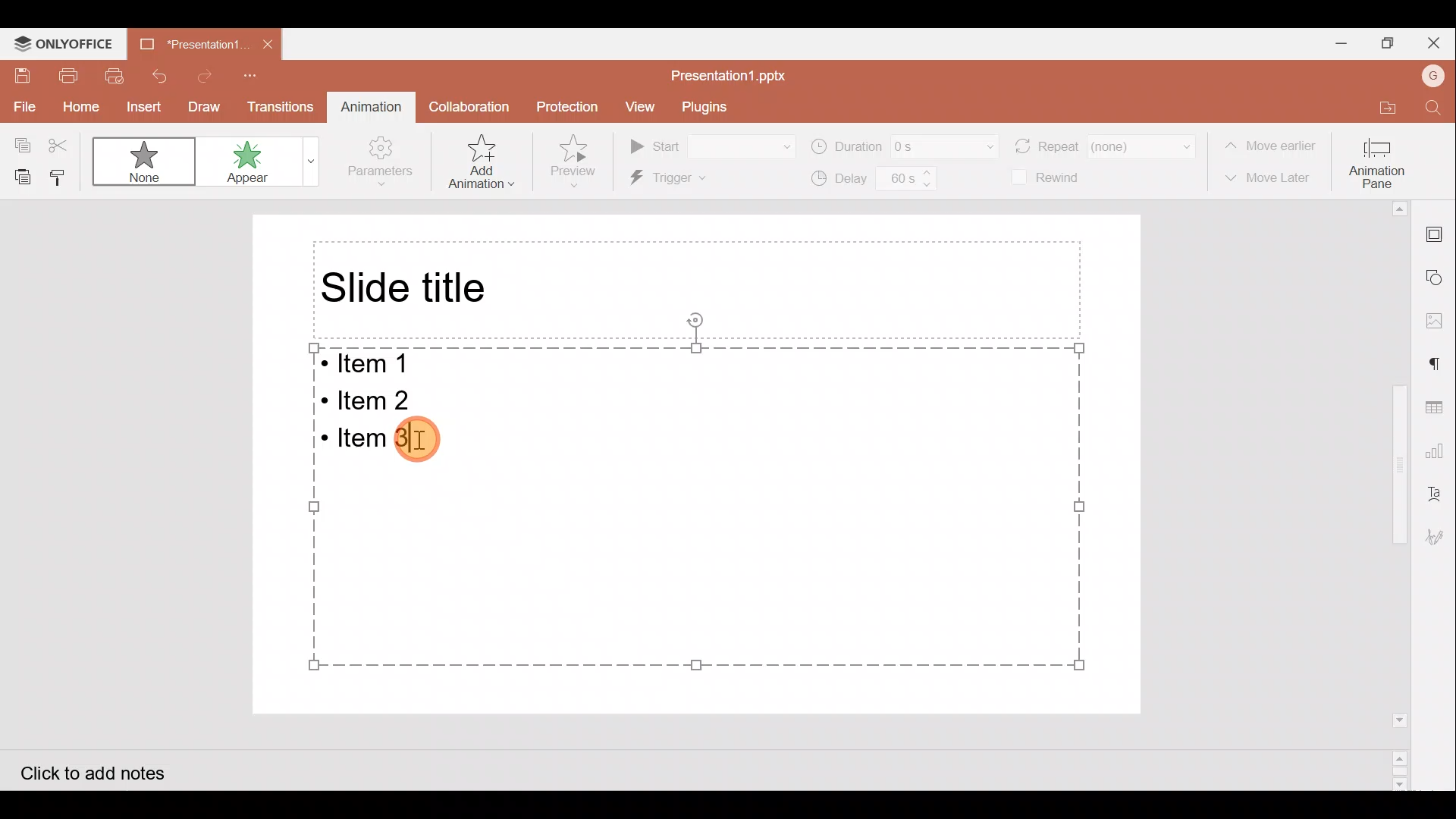 The height and width of the screenshot is (819, 1456). What do you see at coordinates (141, 160) in the screenshot?
I see `None` at bounding box center [141, 160].